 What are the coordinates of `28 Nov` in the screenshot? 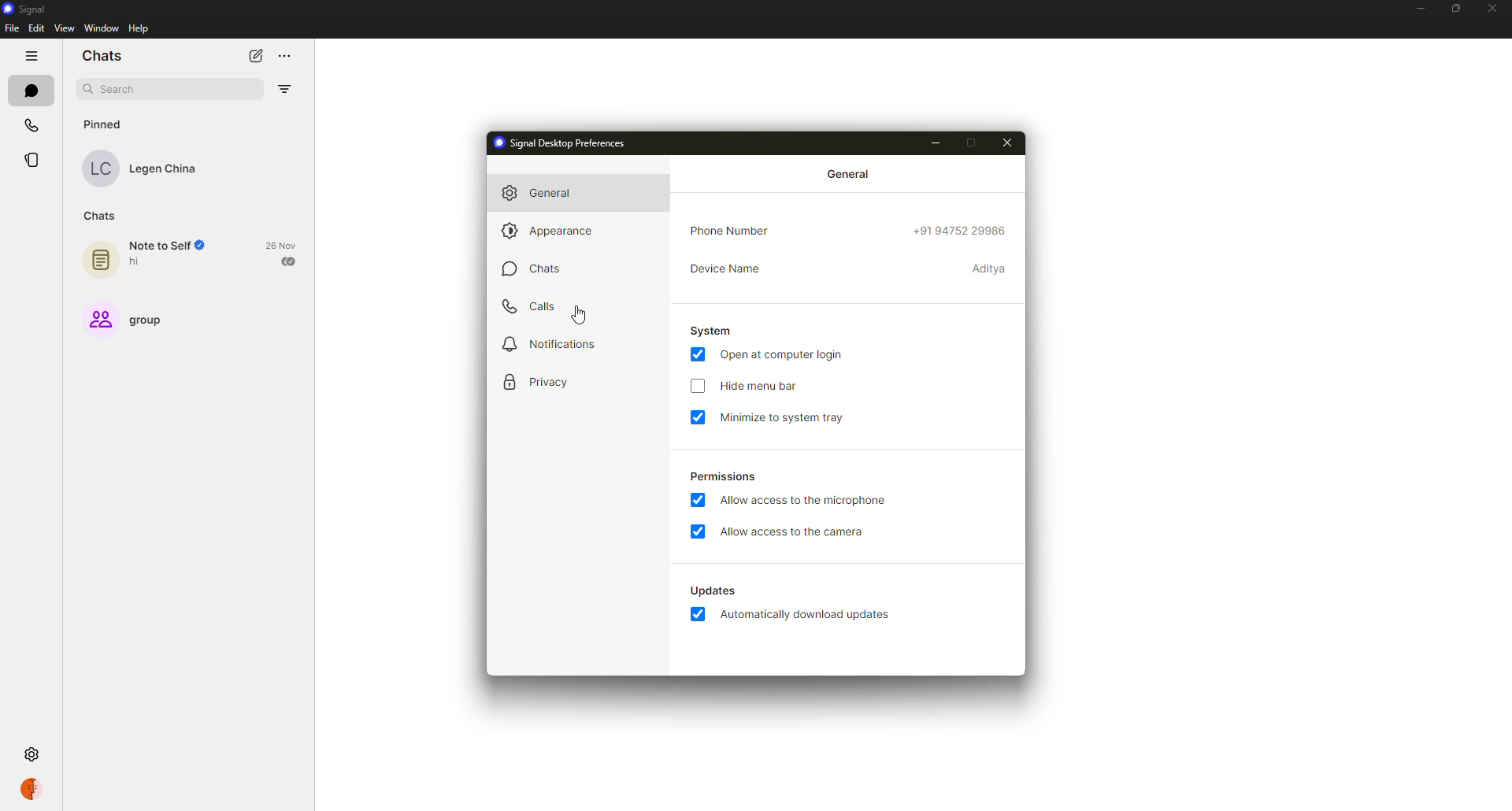 It's located at (282, 245).